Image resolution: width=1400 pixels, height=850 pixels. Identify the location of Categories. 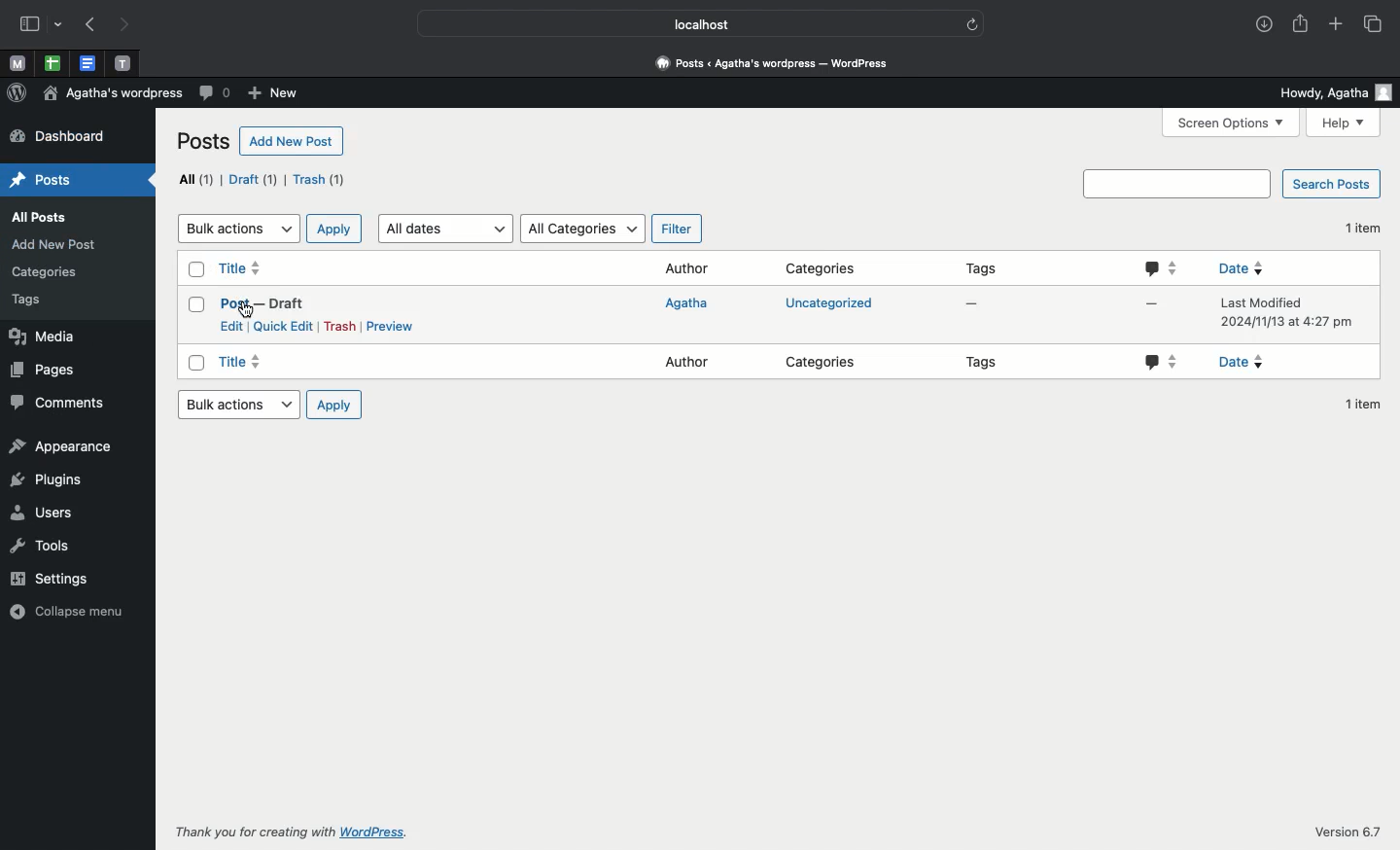
(822, 269).